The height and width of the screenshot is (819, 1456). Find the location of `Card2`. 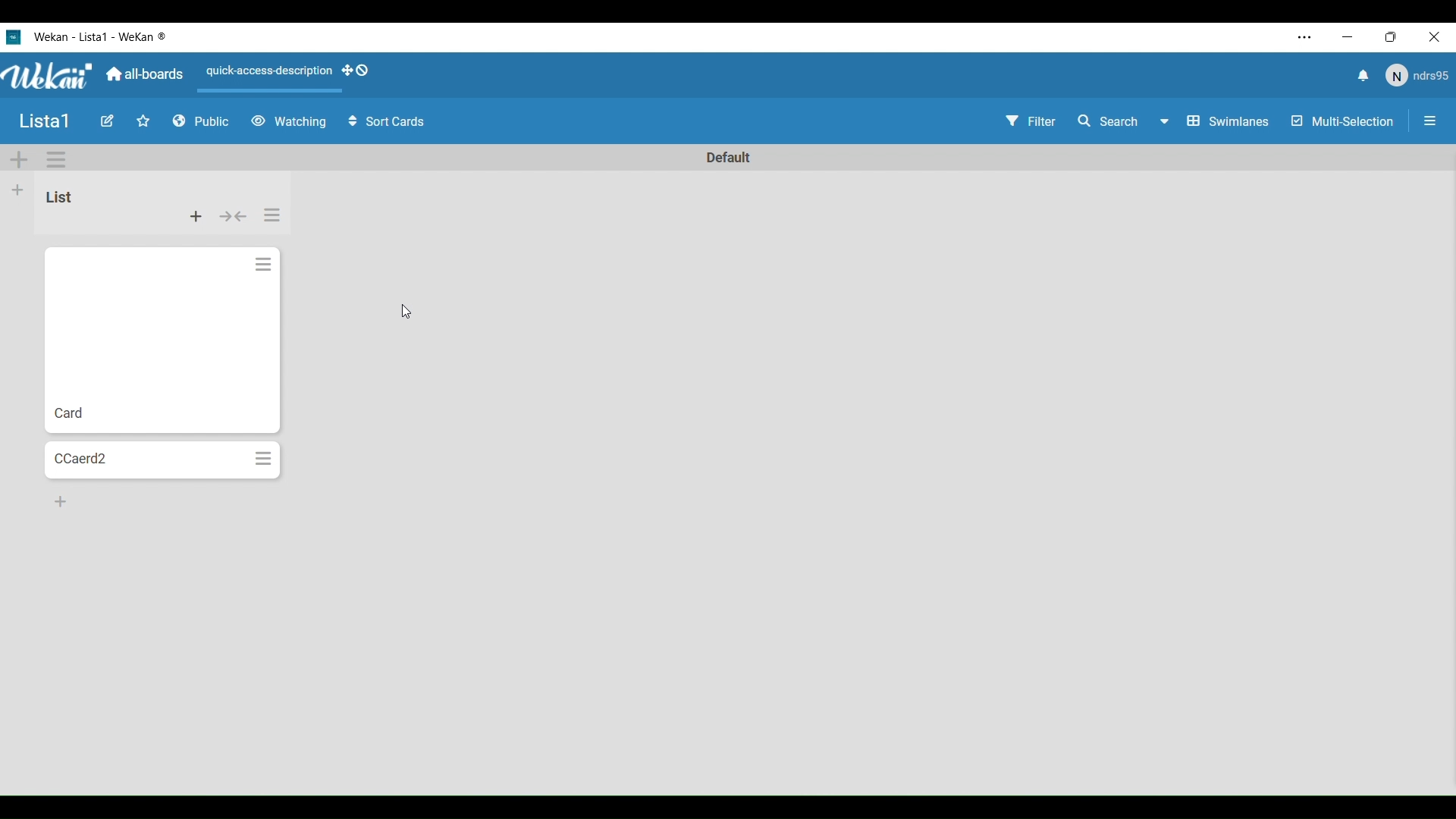

Card2 is located at coordinates (146, 460).